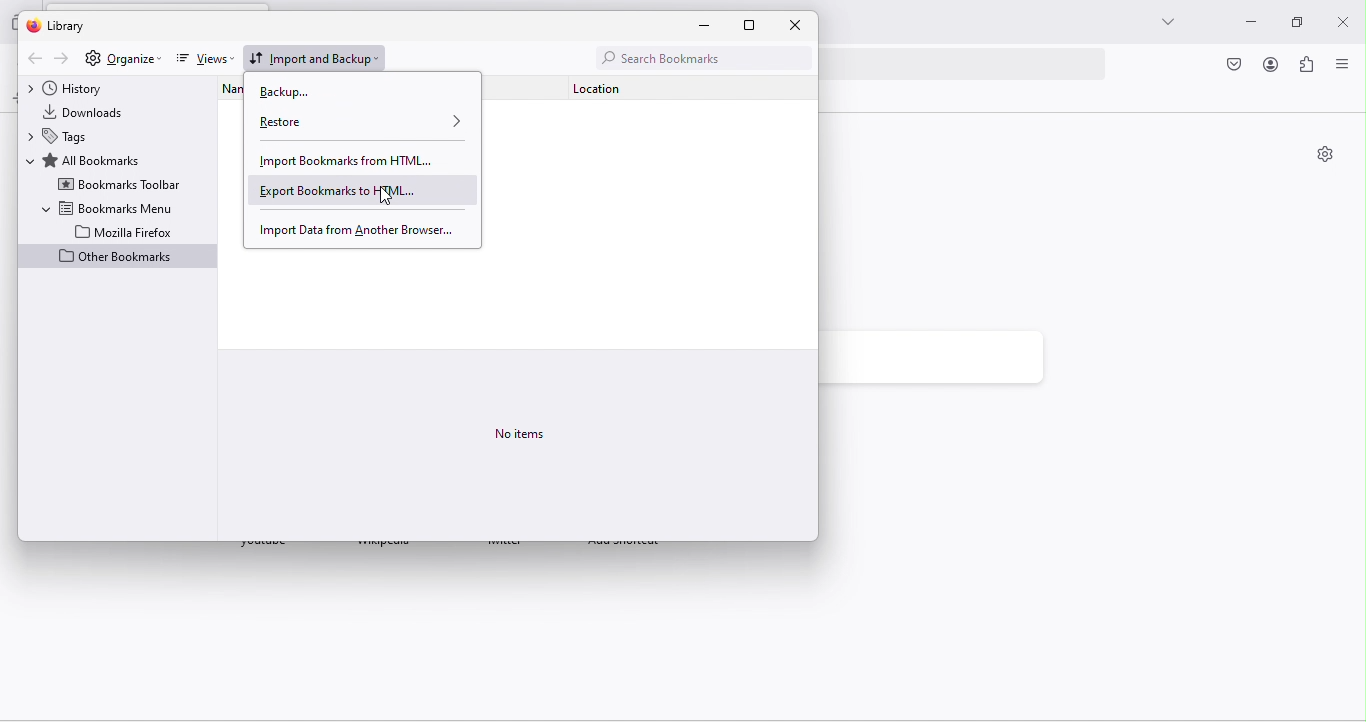 This screenshot has height=722, width=1366. Describe the element at coordinates (360, 190) in the screenshot. I see `export bookmarks to HTML` at that location.